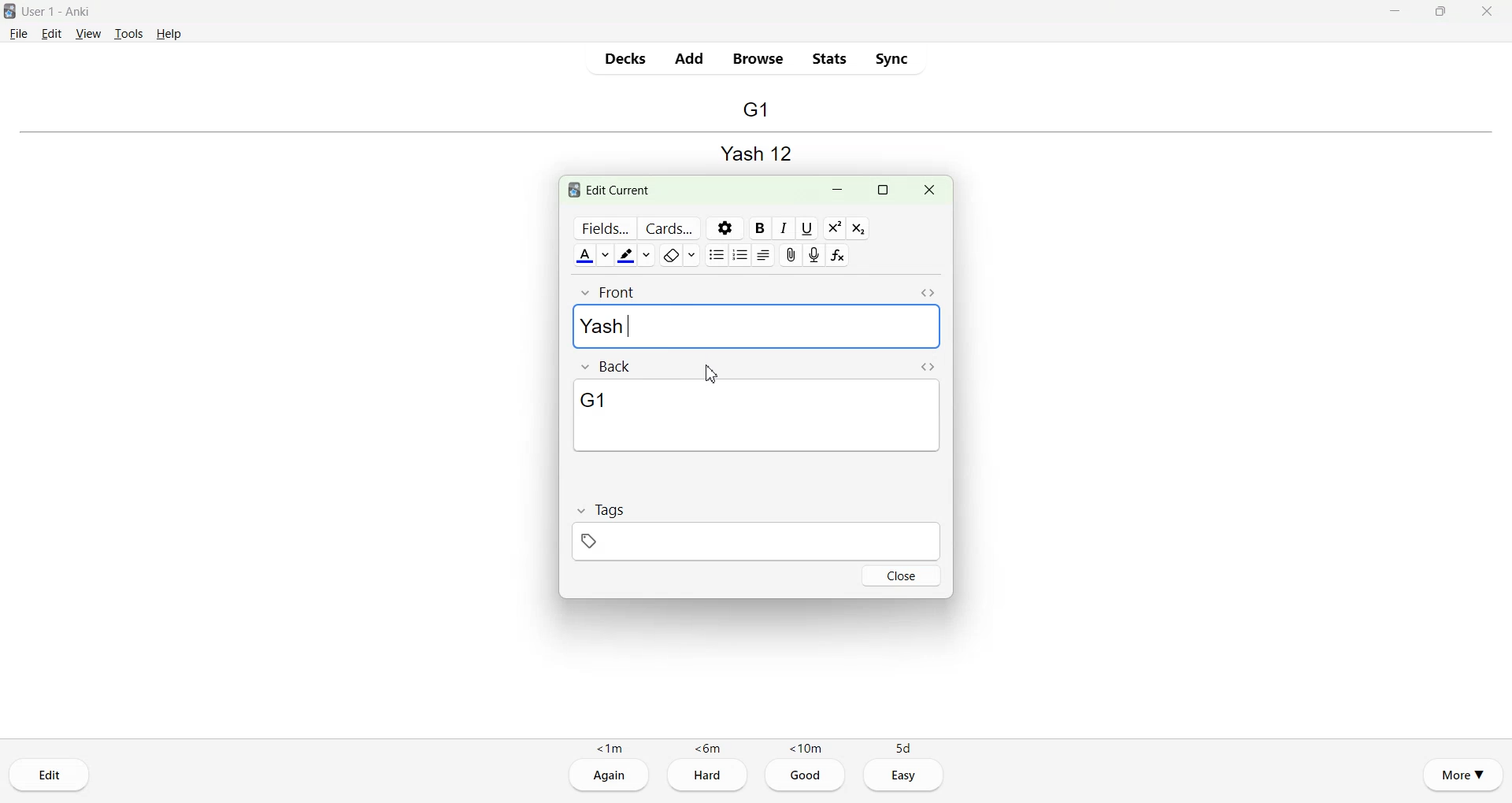 The width and height of the screenshot is (1512, 803). Describe the element at coordinates (759, 59) in the screenshot. I see `Browse` at that location.